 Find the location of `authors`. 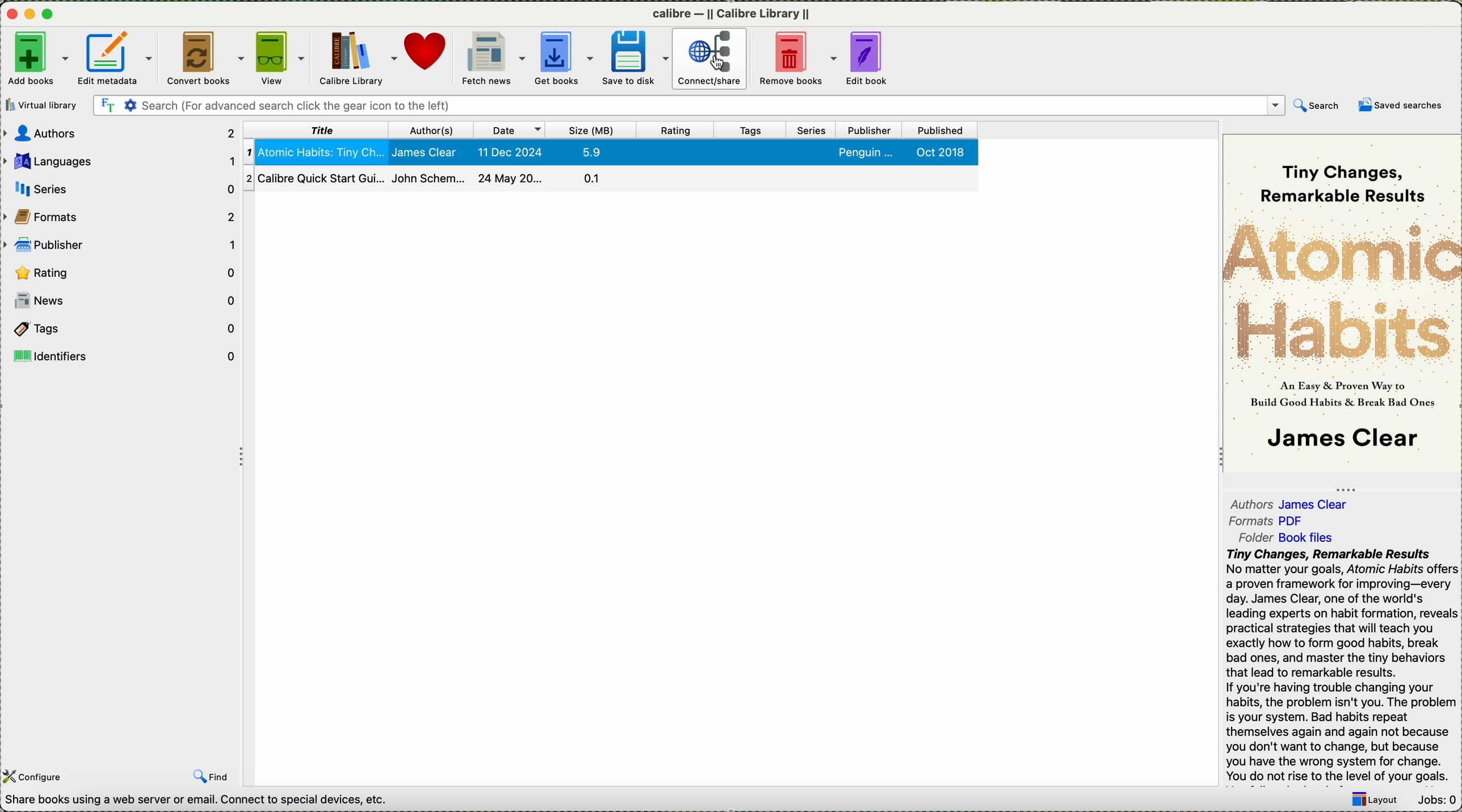

authors is located at coordinates (1293, 502).